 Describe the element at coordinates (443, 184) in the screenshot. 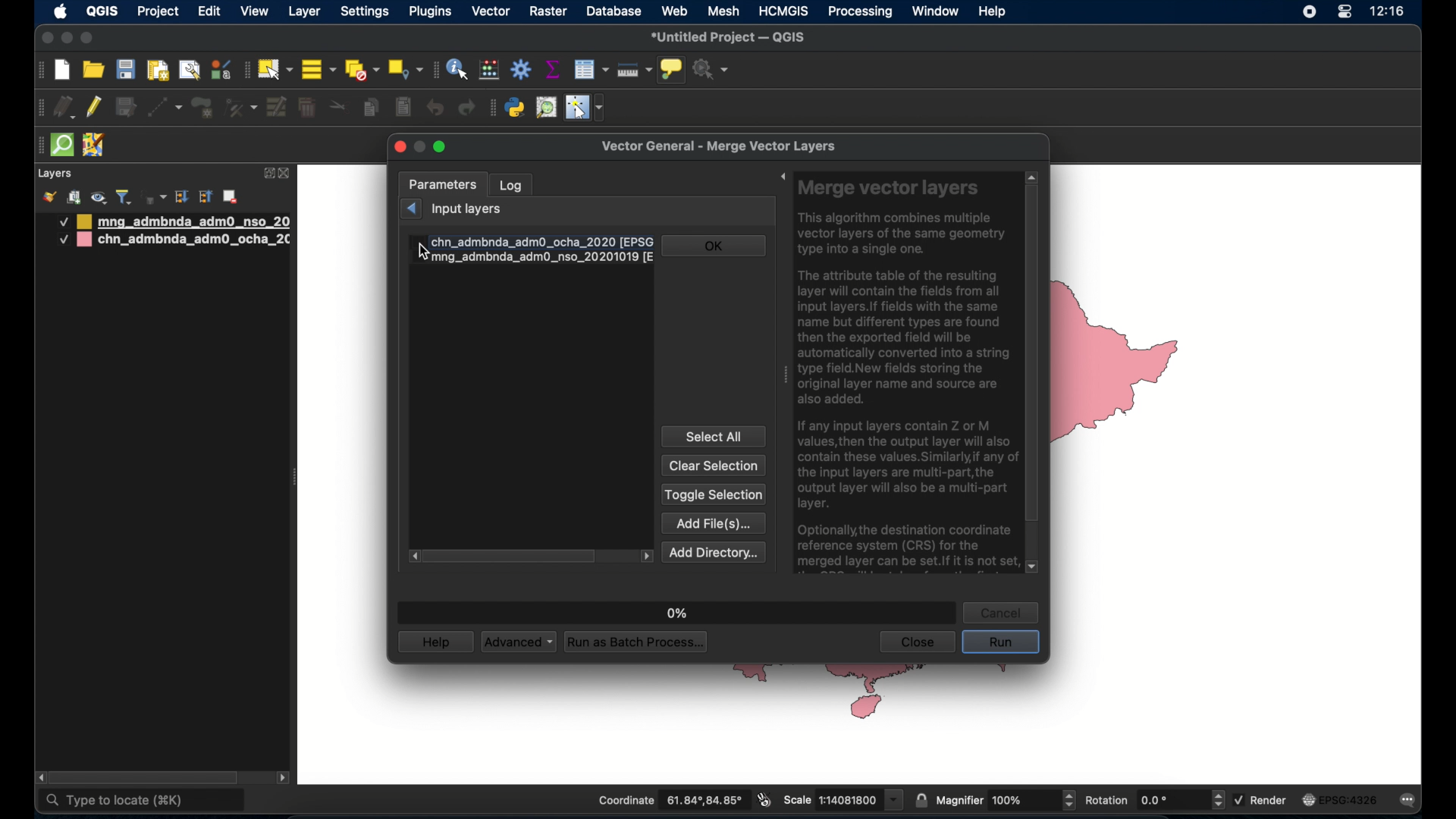

I see `parameters` at that location.